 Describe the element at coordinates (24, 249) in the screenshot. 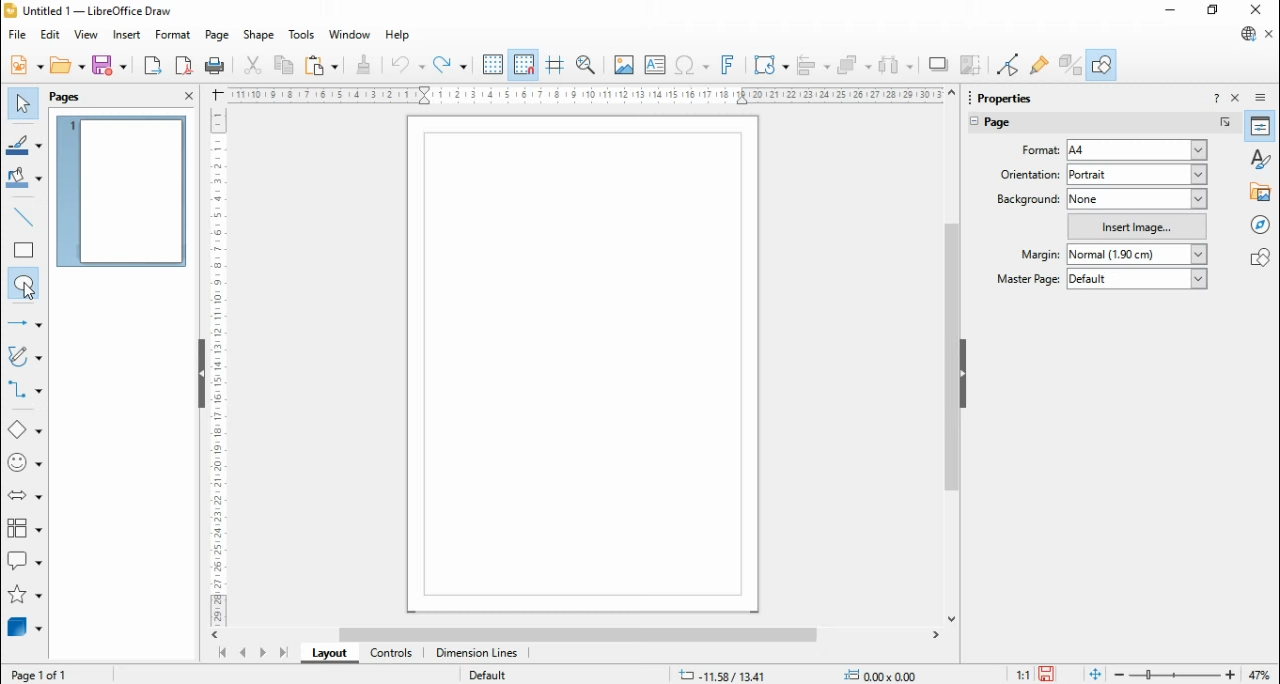

I see `rectangle` at that location.